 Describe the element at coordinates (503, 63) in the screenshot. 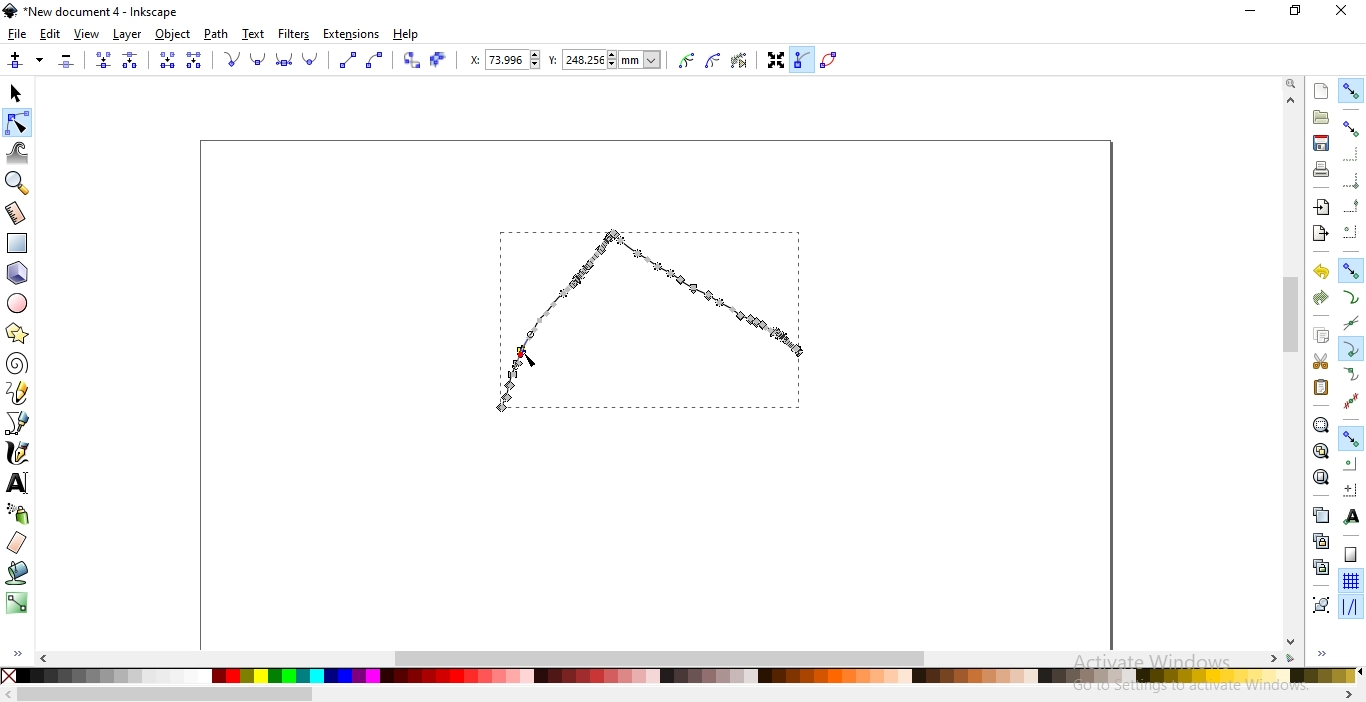

I see `X coordinate of selected nodes` at that location.